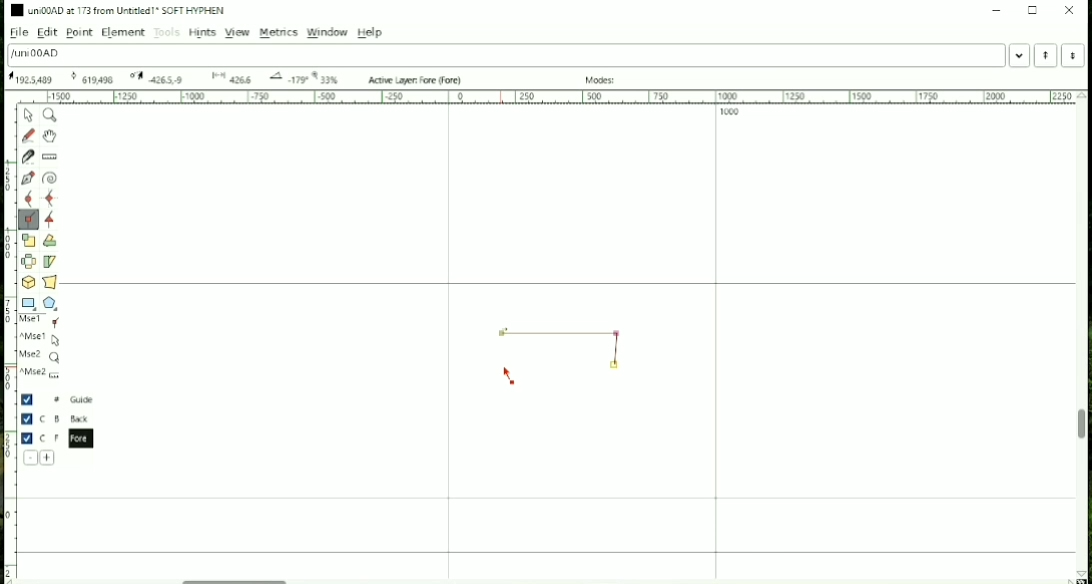 This screenshot has height=584, width=1092. I want to click on 173 Oxad U+00AD "uni00AD" SOFT HYPHEN, so click(30, 79).